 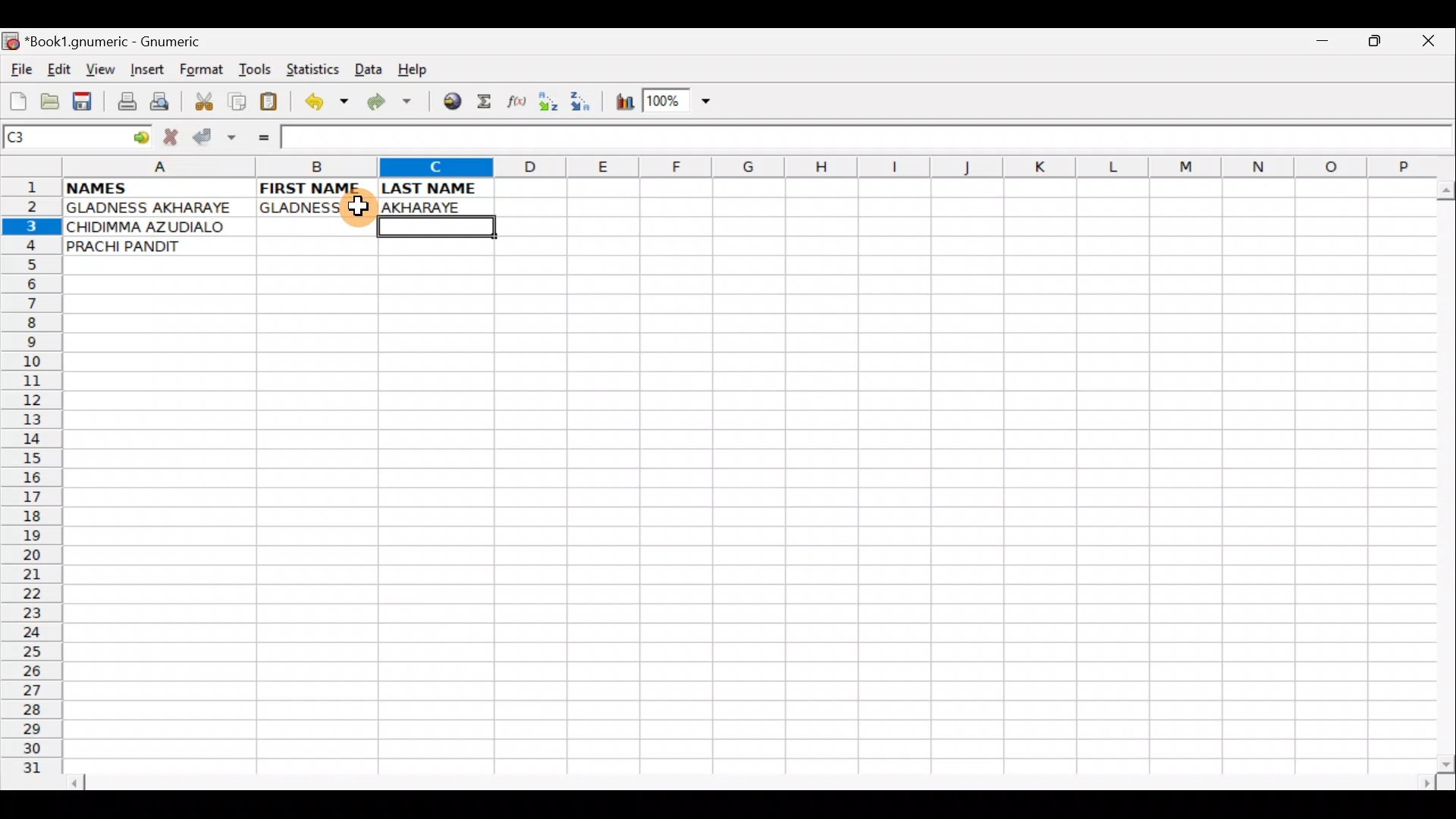 What do you see at coordinates (274, 104) in the screenshot?
I see `Paste clipboard` at bounding box center [274, 104].